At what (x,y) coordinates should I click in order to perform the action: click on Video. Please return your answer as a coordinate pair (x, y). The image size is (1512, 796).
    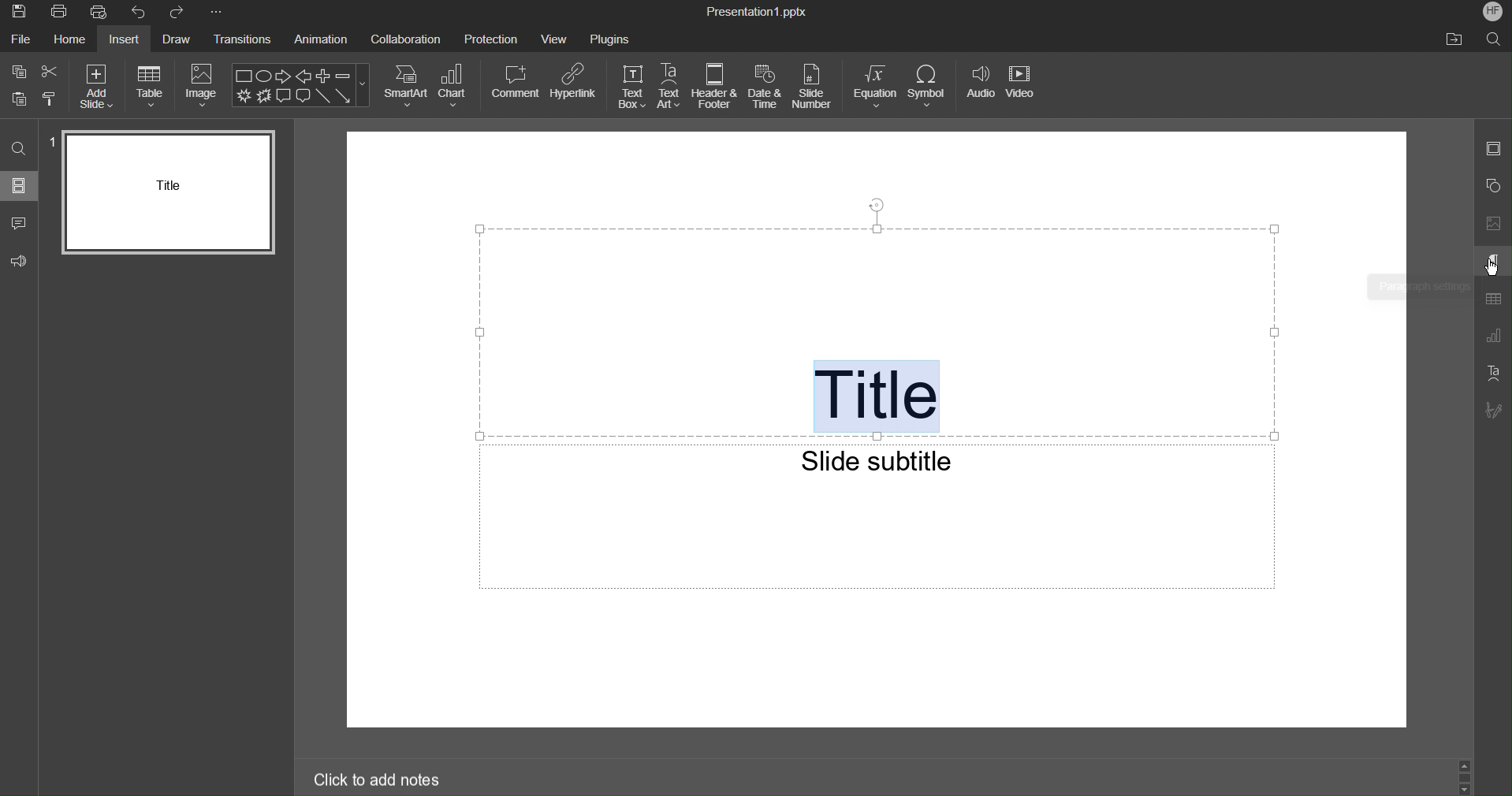
    Looking at the image, I should click on (1026, 88).